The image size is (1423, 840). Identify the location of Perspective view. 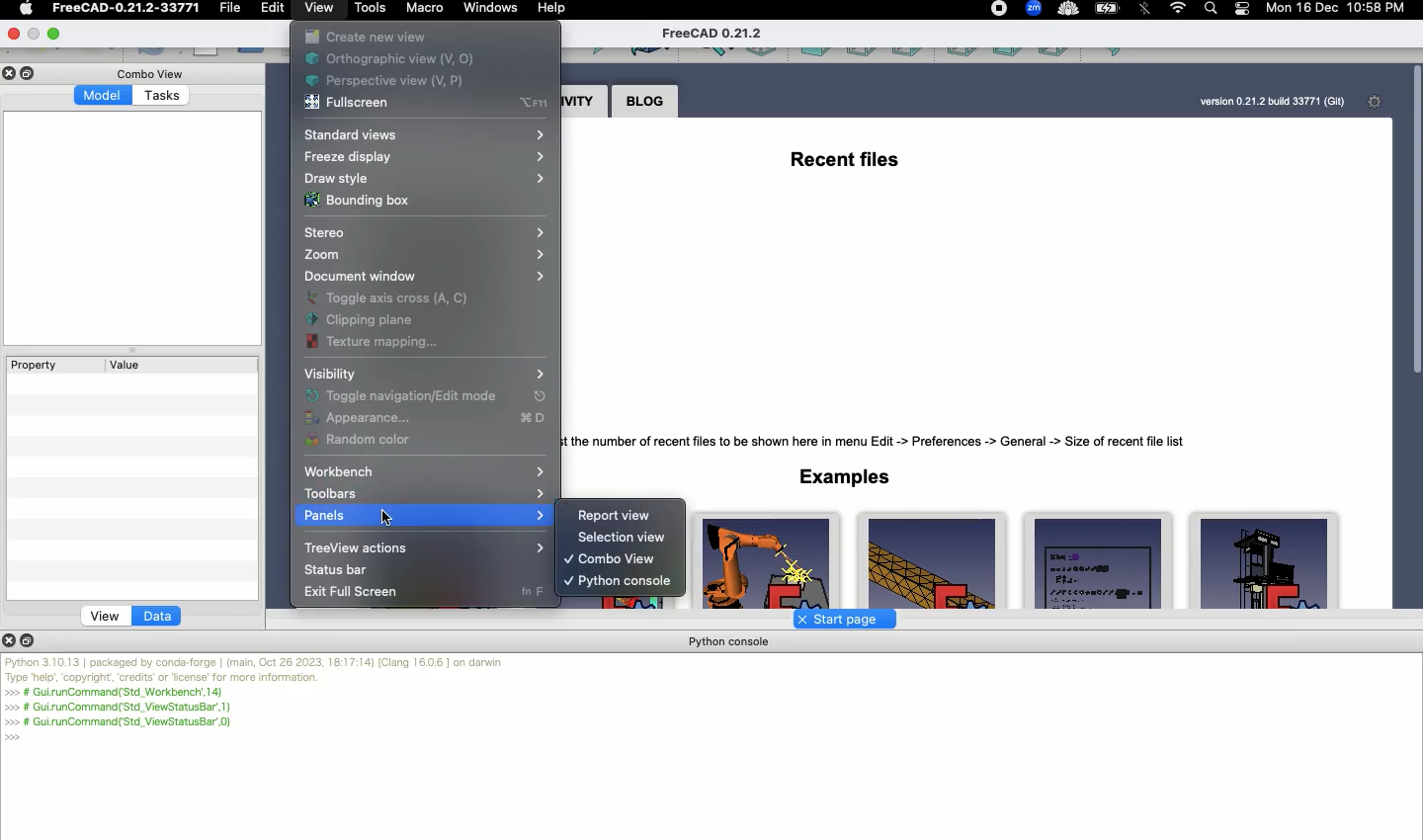
(389, 83).